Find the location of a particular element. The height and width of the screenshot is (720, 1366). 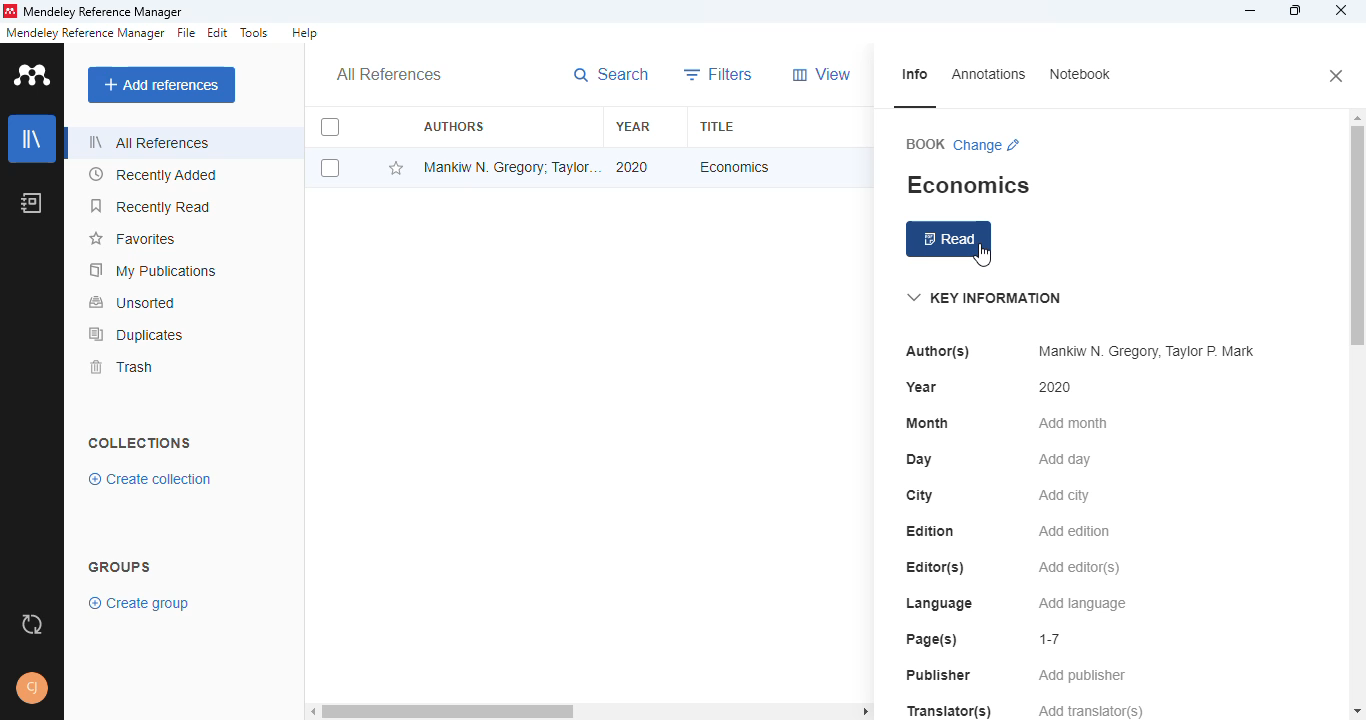

authors is located at coordinates (453, 127).